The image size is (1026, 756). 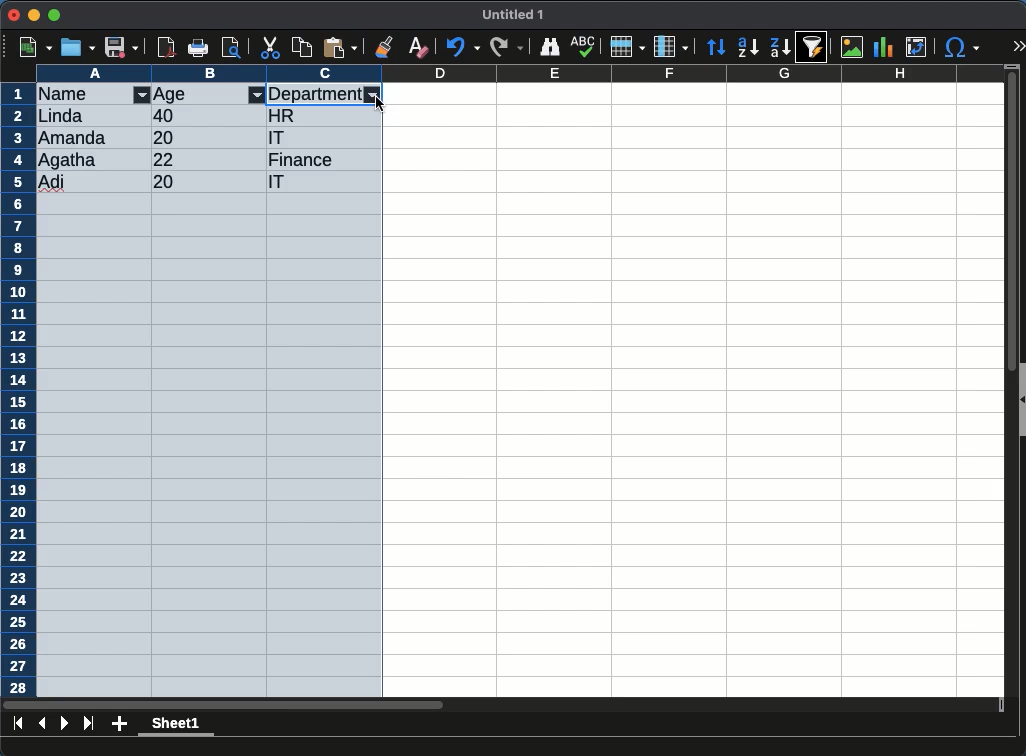 What do you see at coordinates (119, 725) in the screenshot?
I see `add` at bounding box center [119, 725].